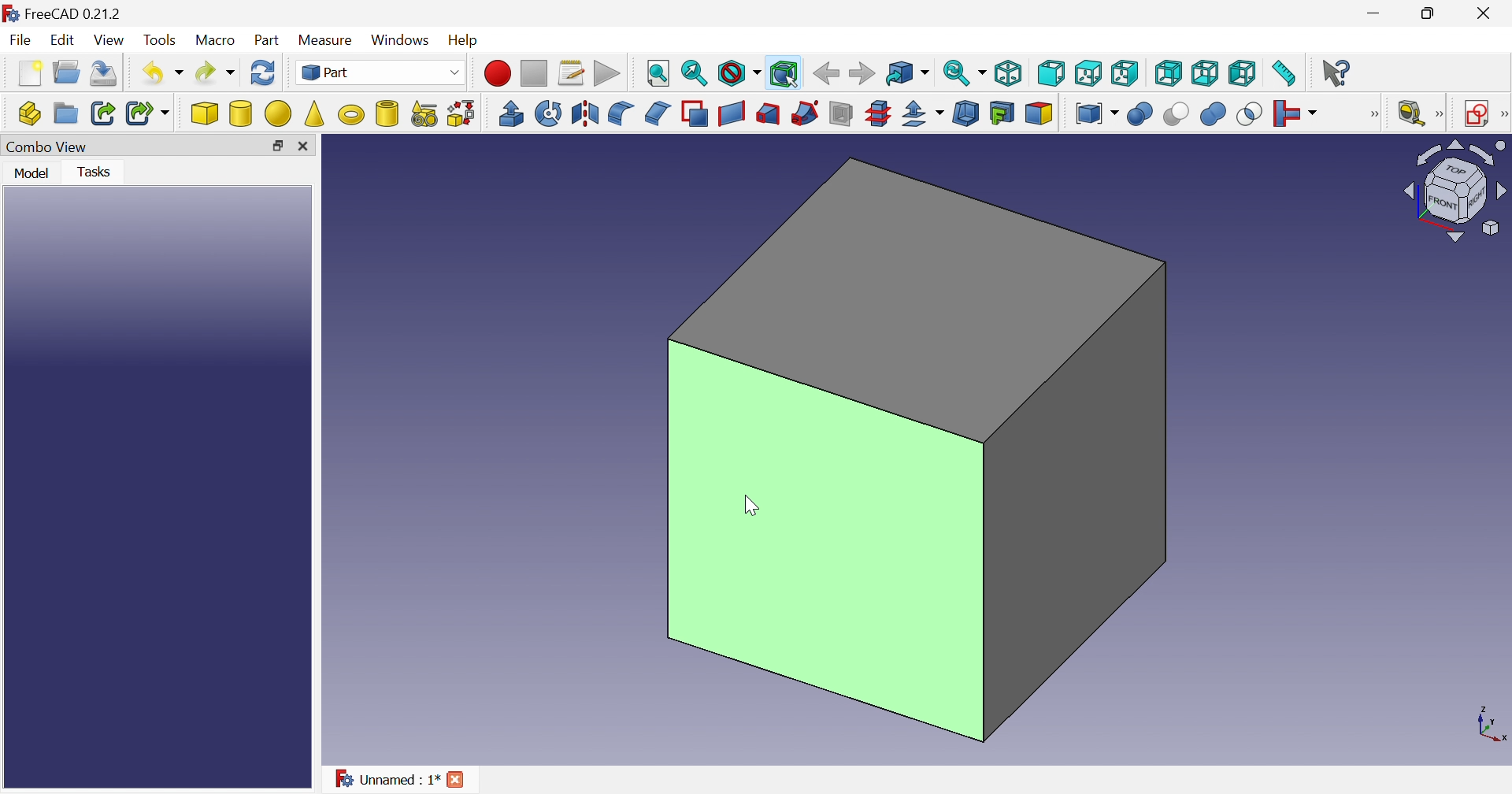  What do you see at coordinates (498, 73) in the screenshot?
I see `Macro recording...` at bounding box center [498, 73].